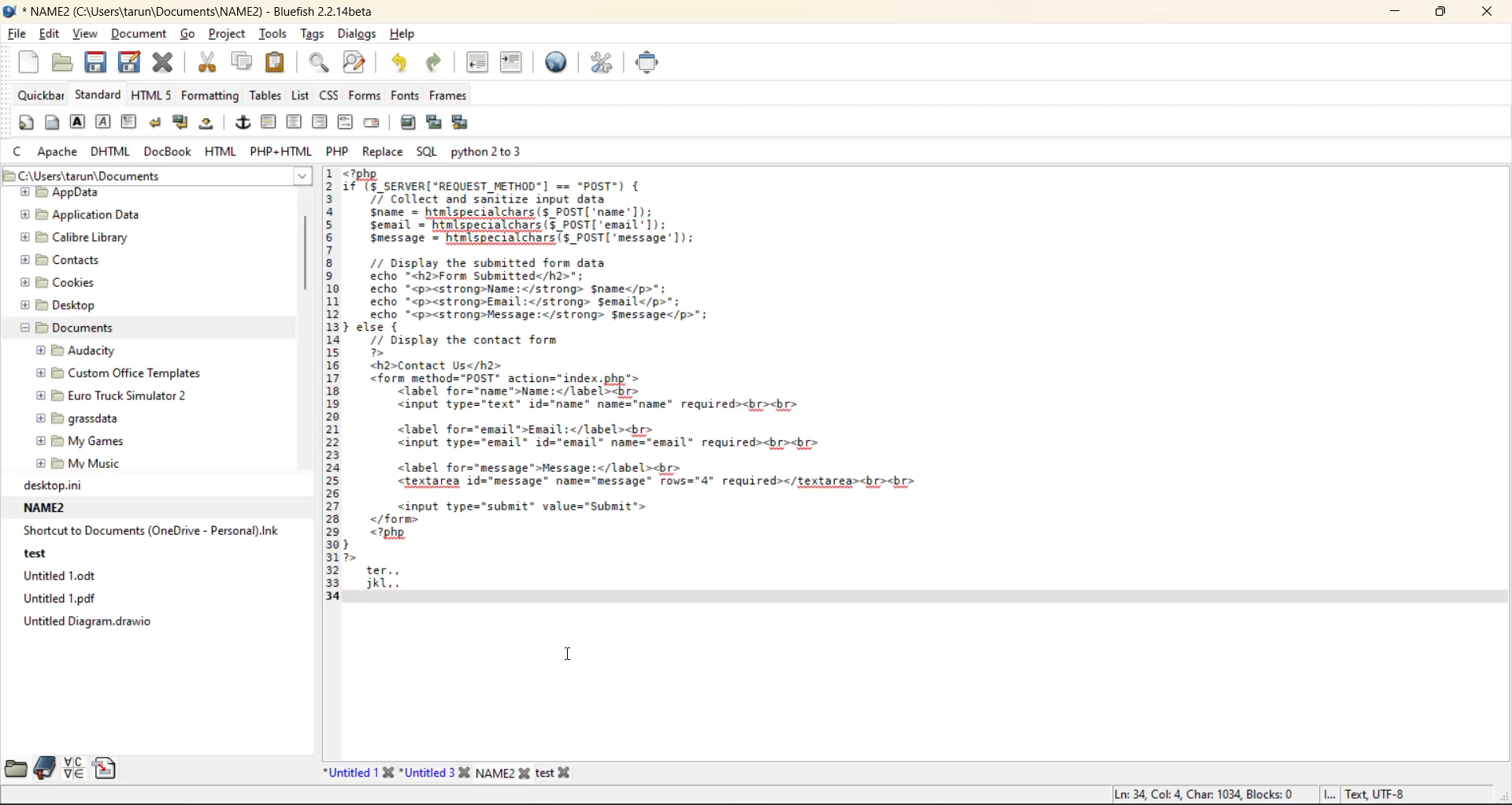 The image size is (1512, 805). Describe the element at coordinates (319, 63) in the screenshot. I see `find` at that location.